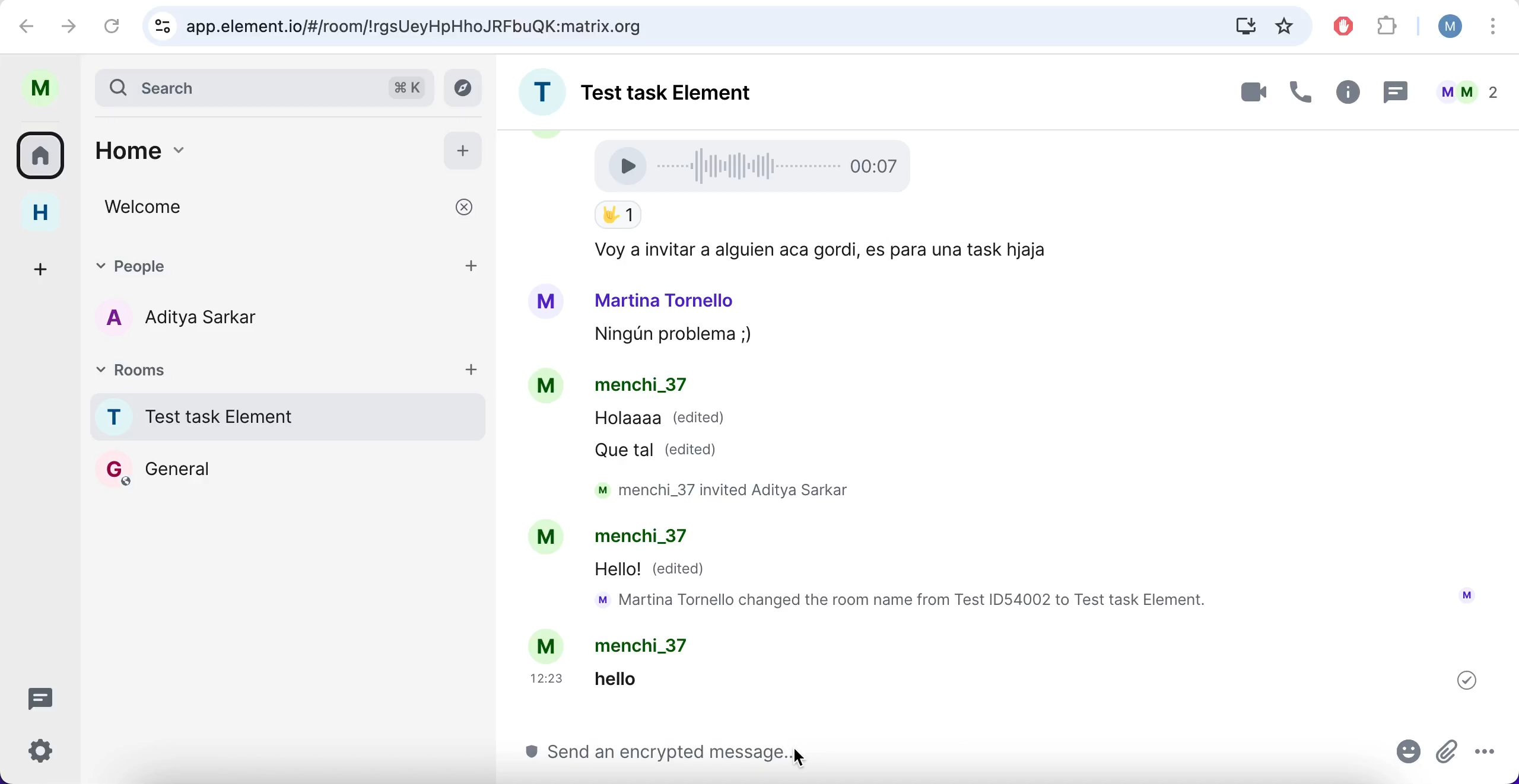  I want to click on Ningun problema ;,, so click(667, 336).